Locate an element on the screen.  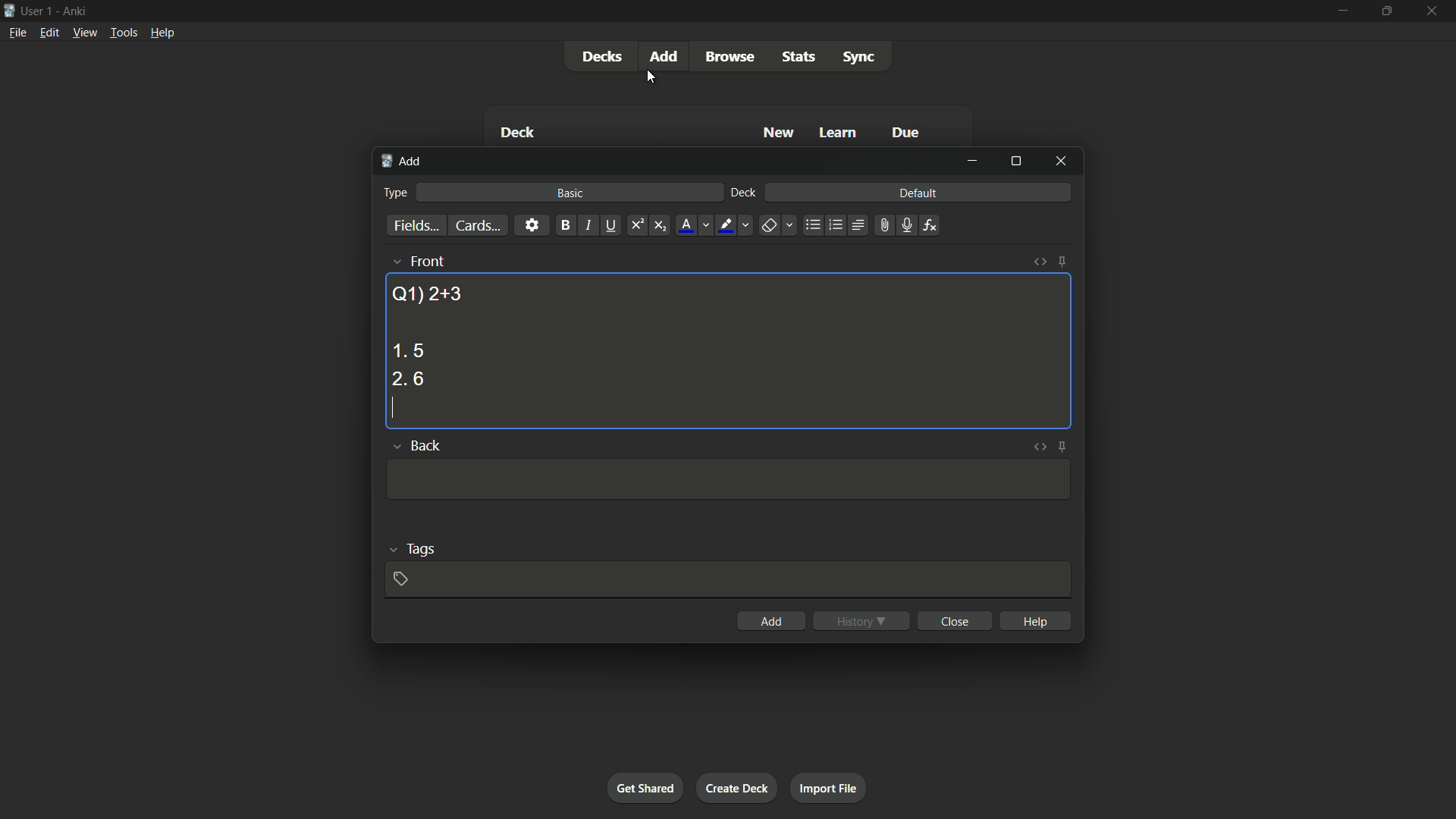
learn is located at coordinates (838, 133).